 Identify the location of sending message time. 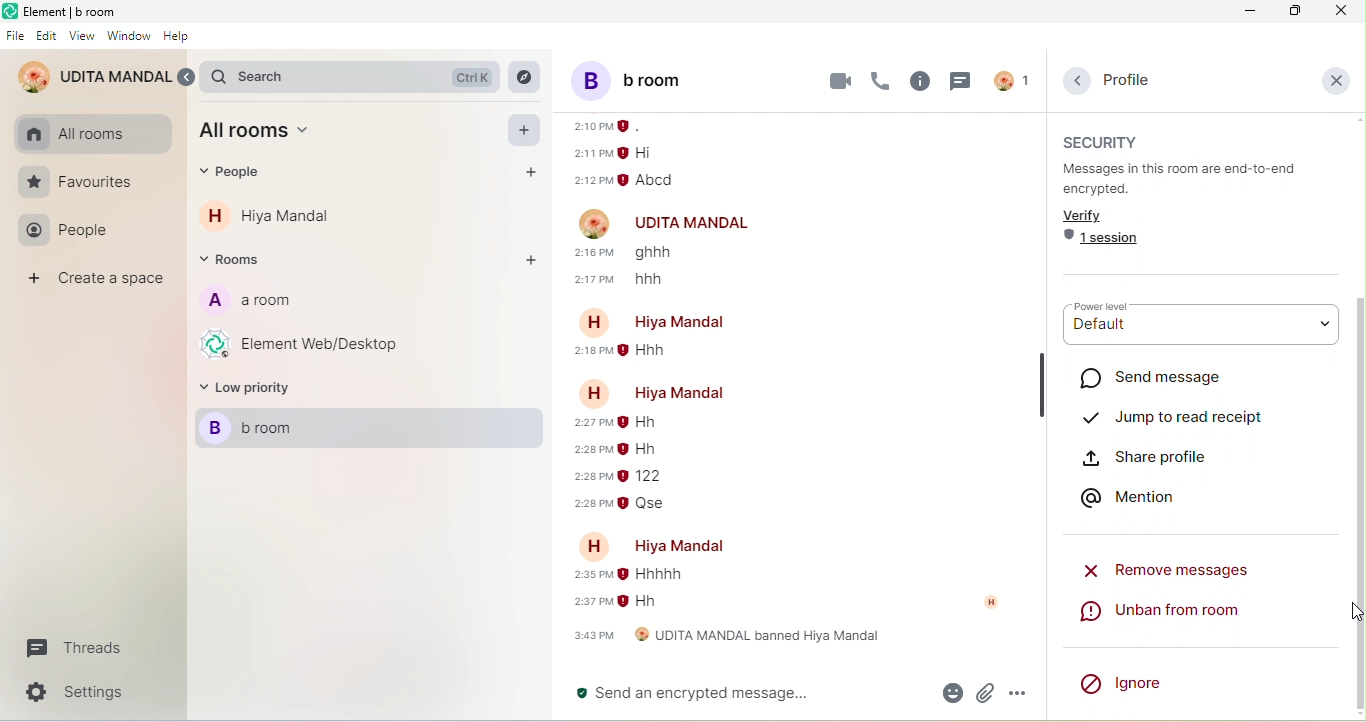
(591, 426).